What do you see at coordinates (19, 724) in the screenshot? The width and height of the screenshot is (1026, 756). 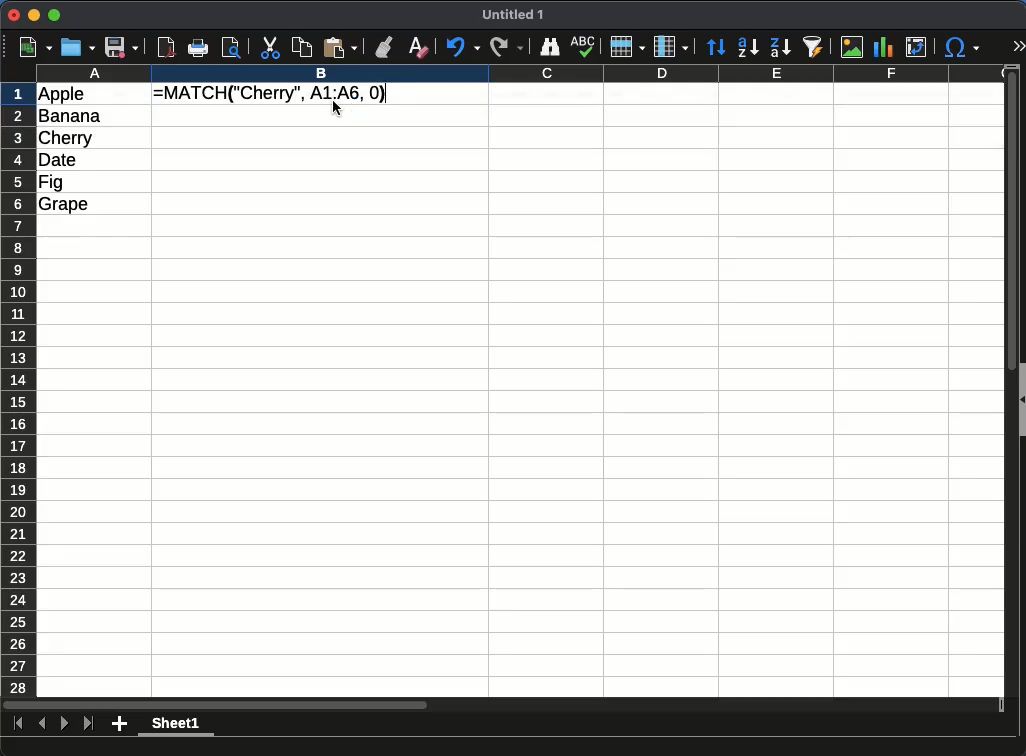 I see `first sheet` at bounding box center [19, 724].